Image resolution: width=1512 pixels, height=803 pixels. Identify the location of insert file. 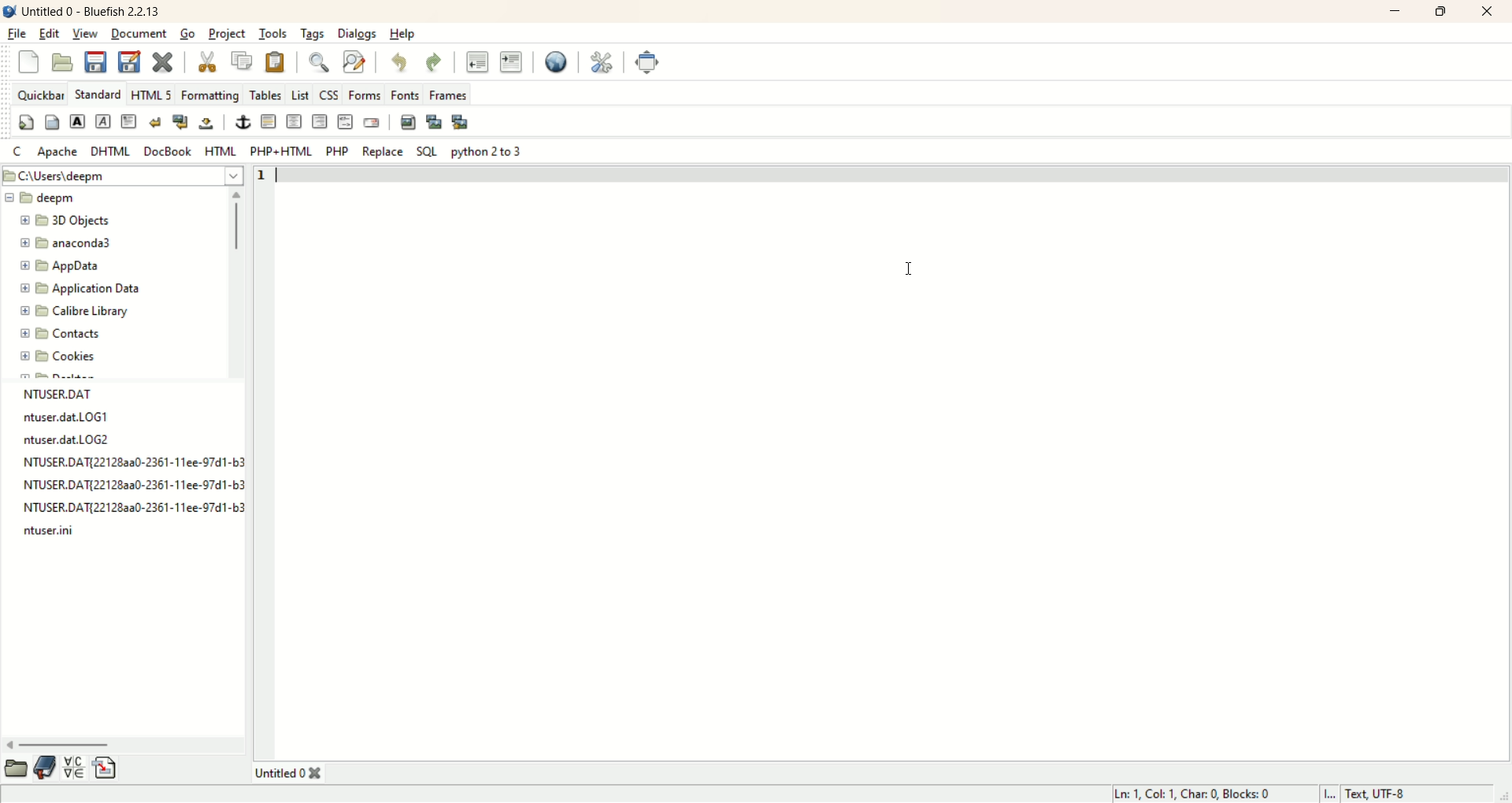
(109, 769).